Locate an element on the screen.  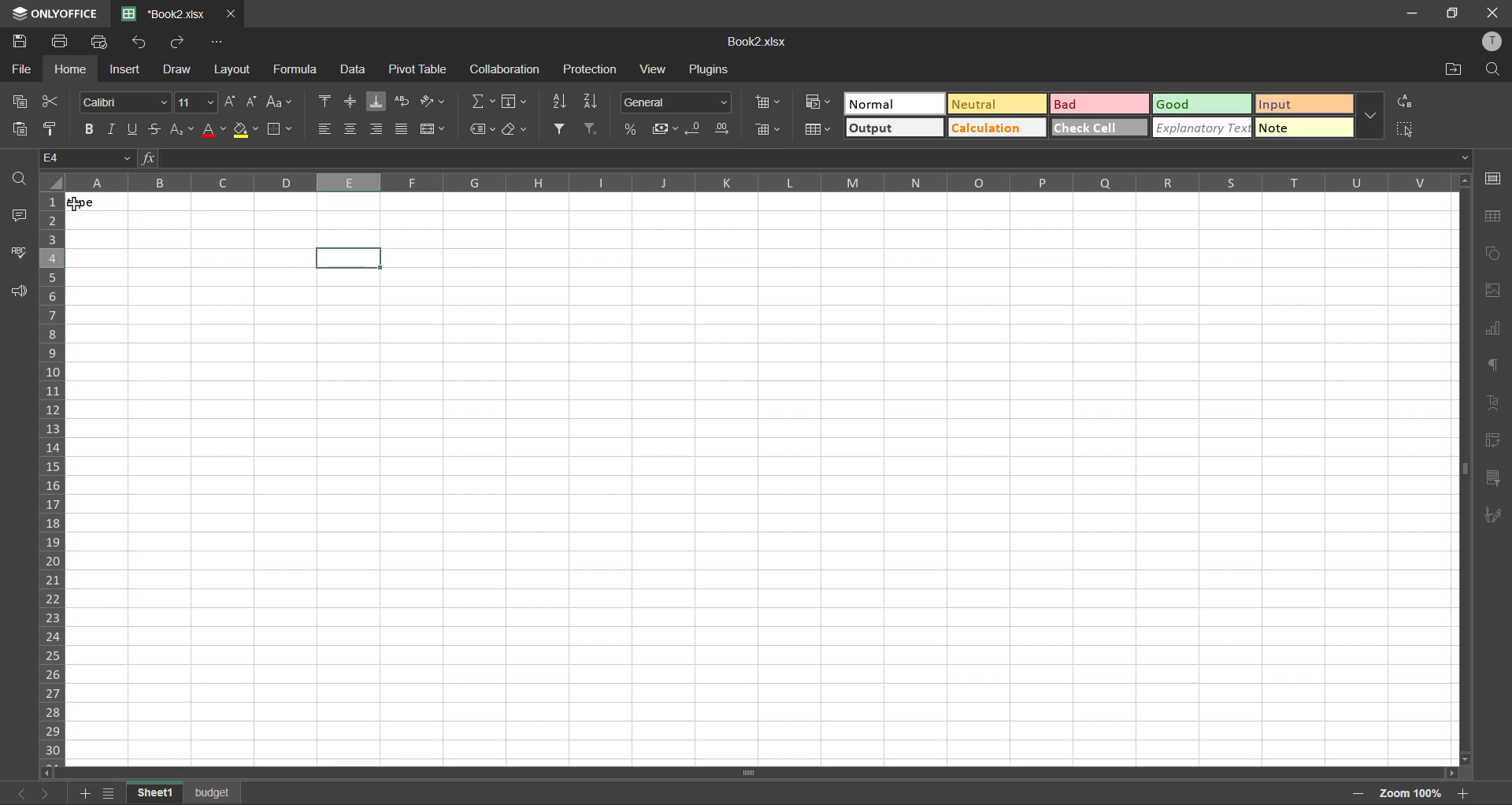
text is located at coordinates (1493, 402).